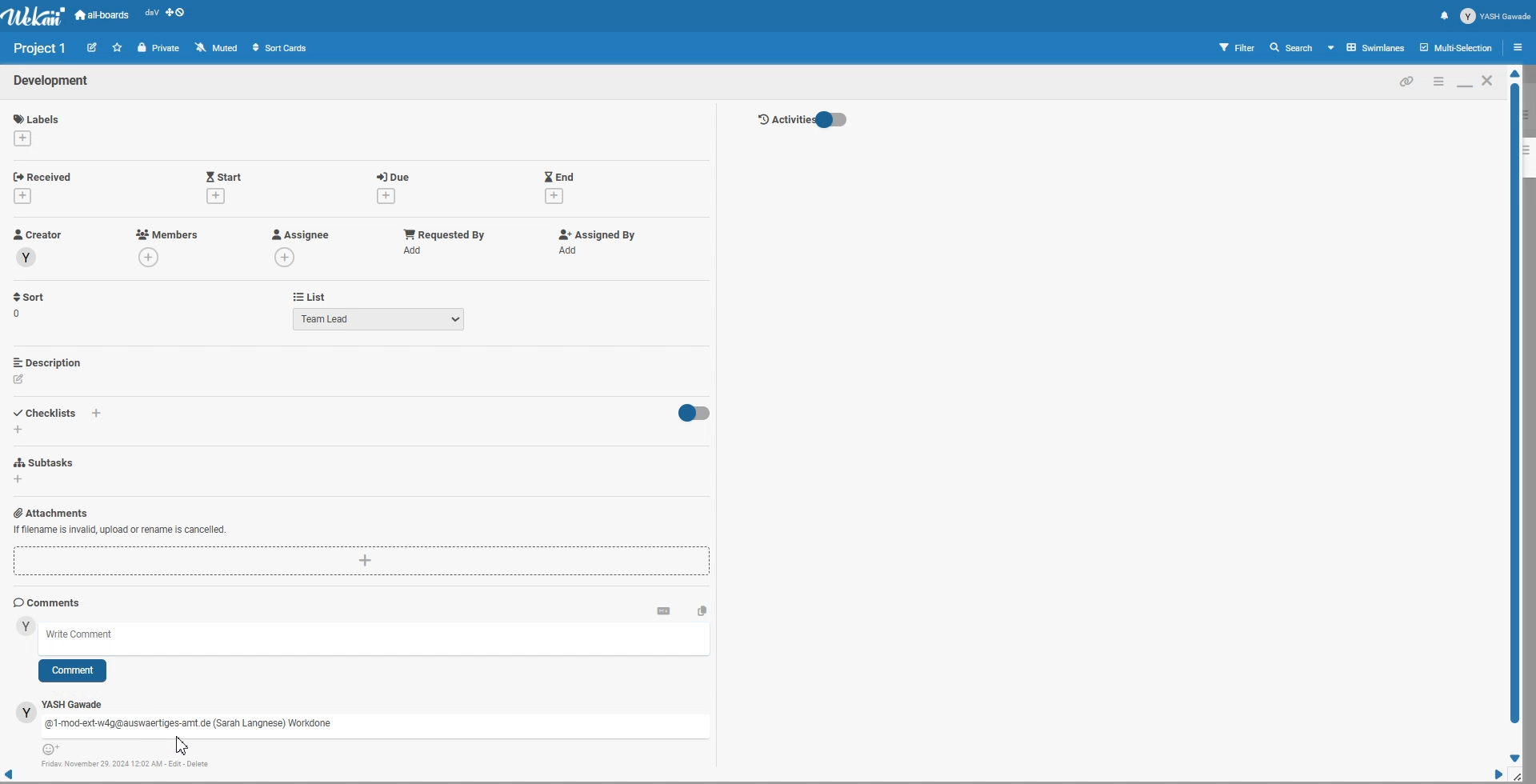 The width and height of the screenshot is (1536, 784). I want to click on Add Start, so click(224, 175).